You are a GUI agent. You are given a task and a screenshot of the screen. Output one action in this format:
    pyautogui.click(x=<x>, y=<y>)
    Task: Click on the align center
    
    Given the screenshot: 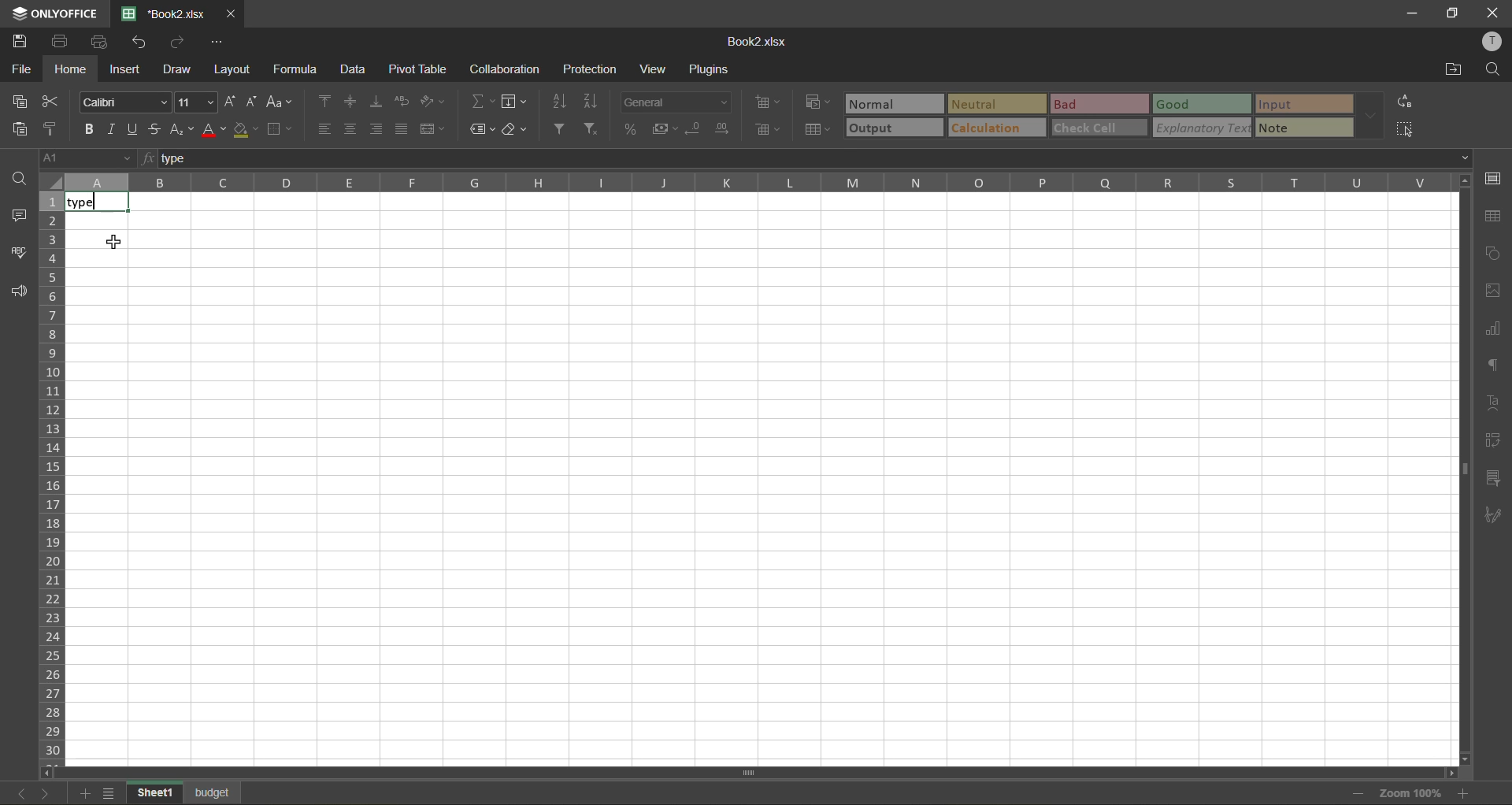 What is the action you would take?
    pyautogui.click(x=350, y=129)
    